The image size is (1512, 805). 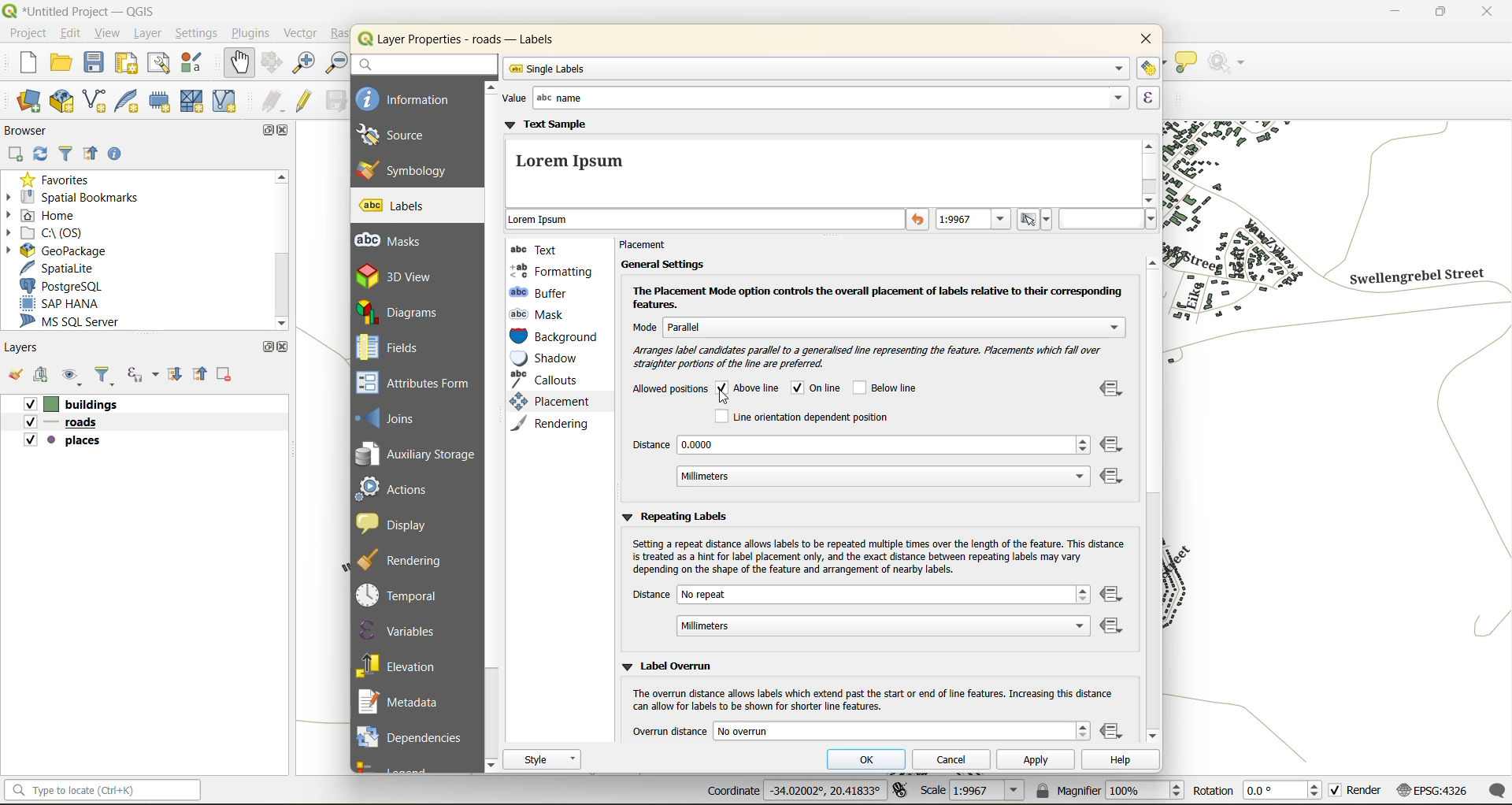 What do you see at coordinates (63, 441) in the screenshot?
I see `places layer` at bounding box center [63, 441].